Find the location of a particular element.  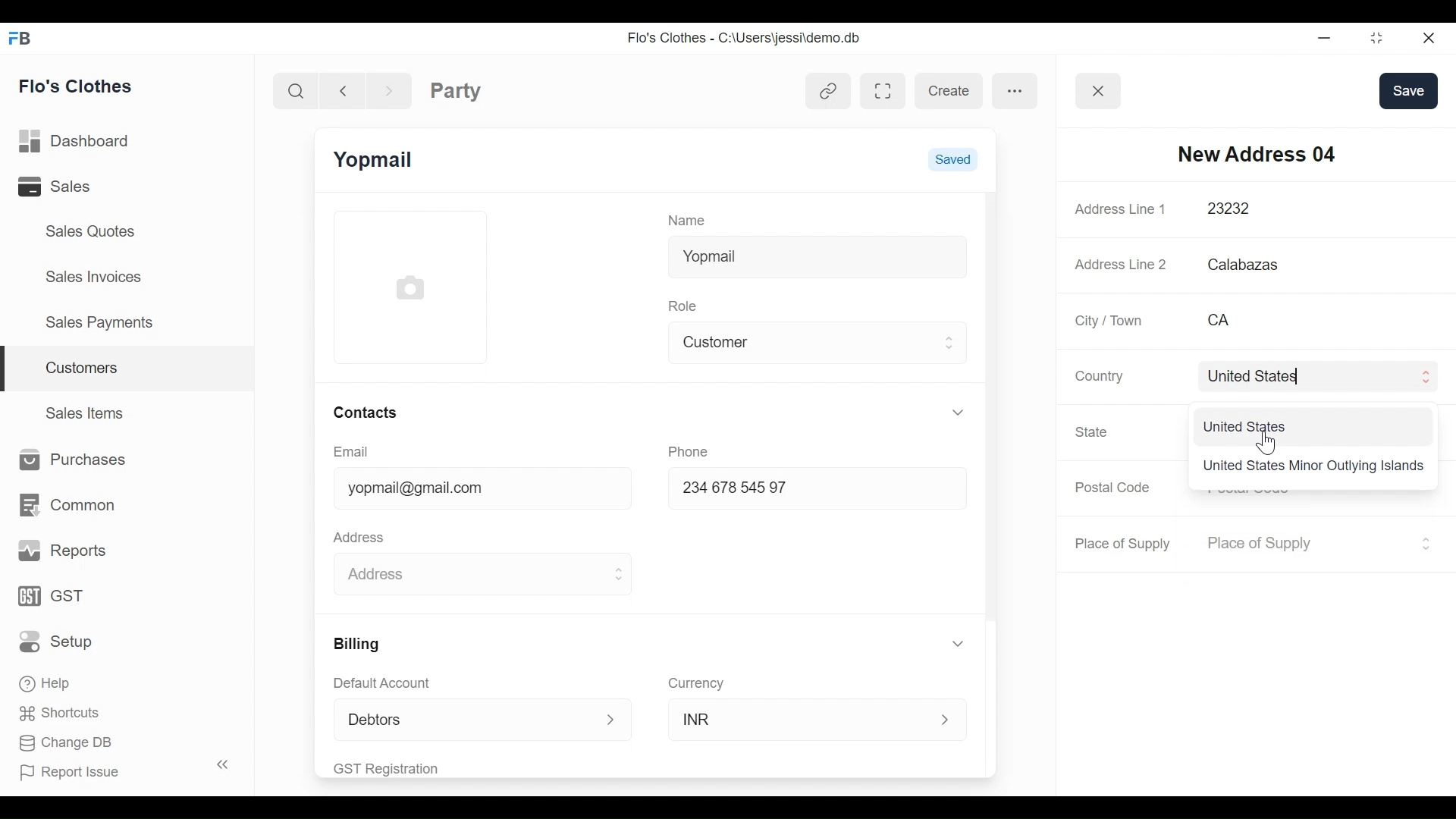

State is located at coordinates (1094, 431).